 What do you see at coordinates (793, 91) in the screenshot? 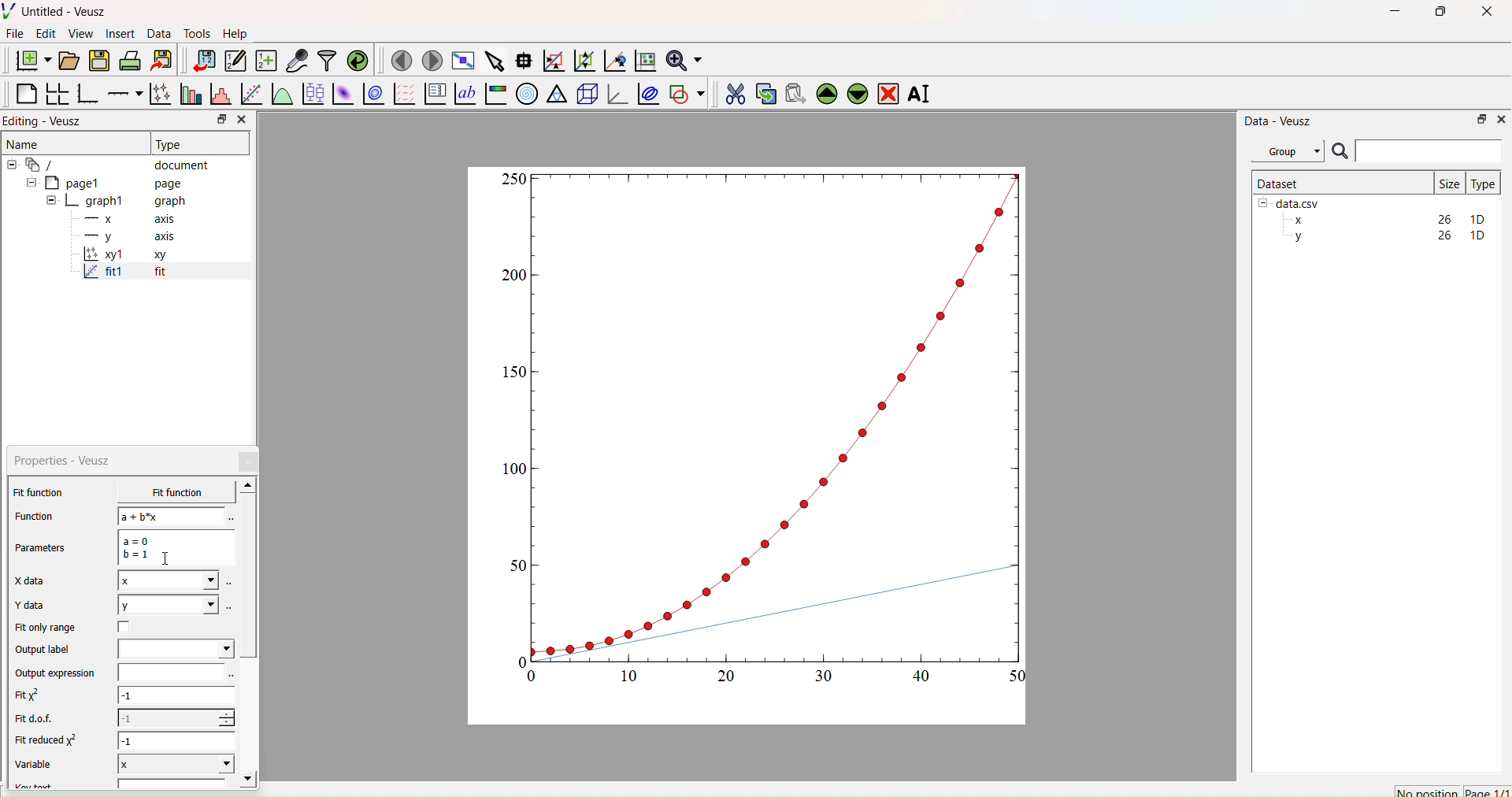
I see `Paste` at bounding box center [793, 91].